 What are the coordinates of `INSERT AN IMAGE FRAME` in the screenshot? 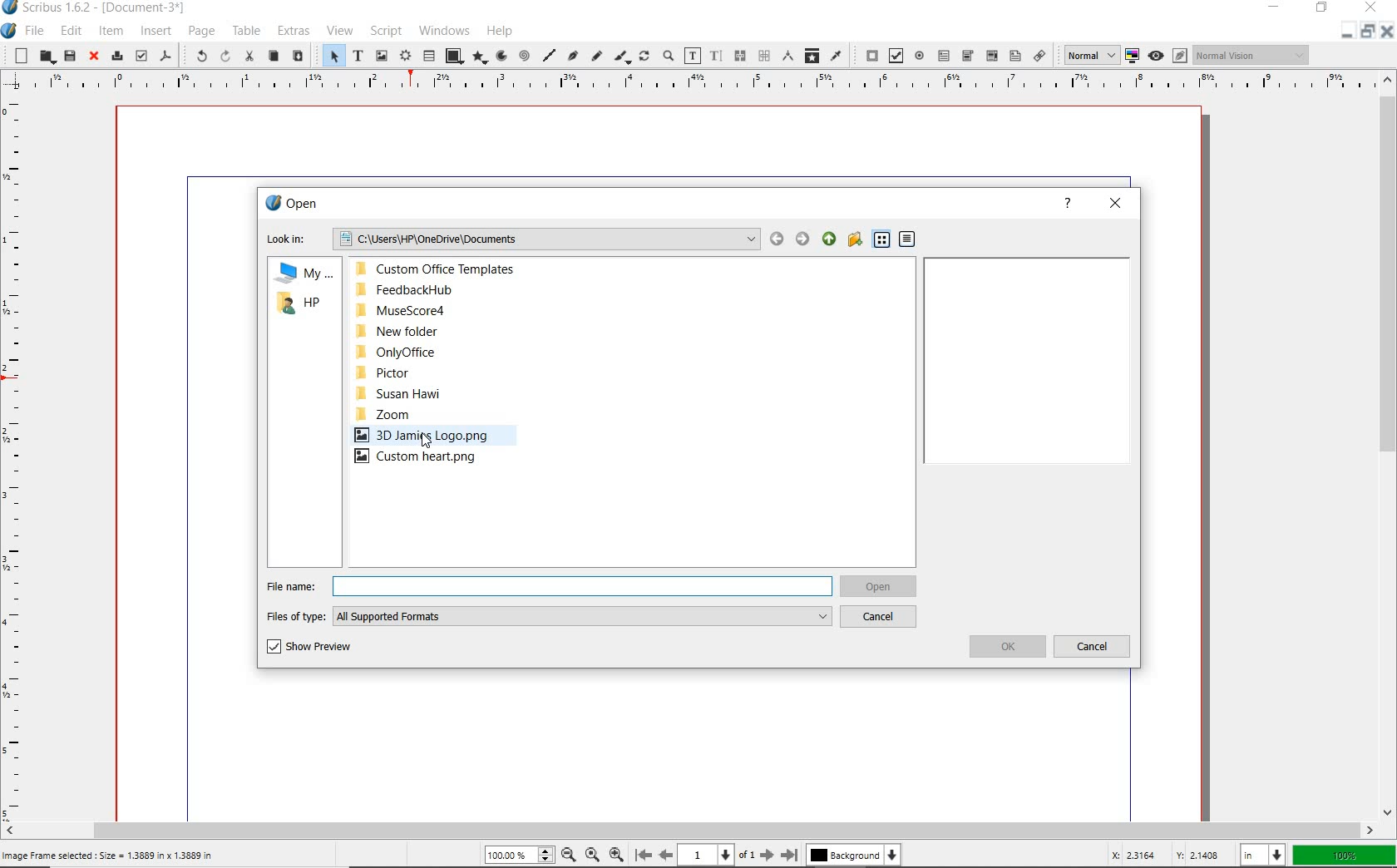 It's located at (112, 856).